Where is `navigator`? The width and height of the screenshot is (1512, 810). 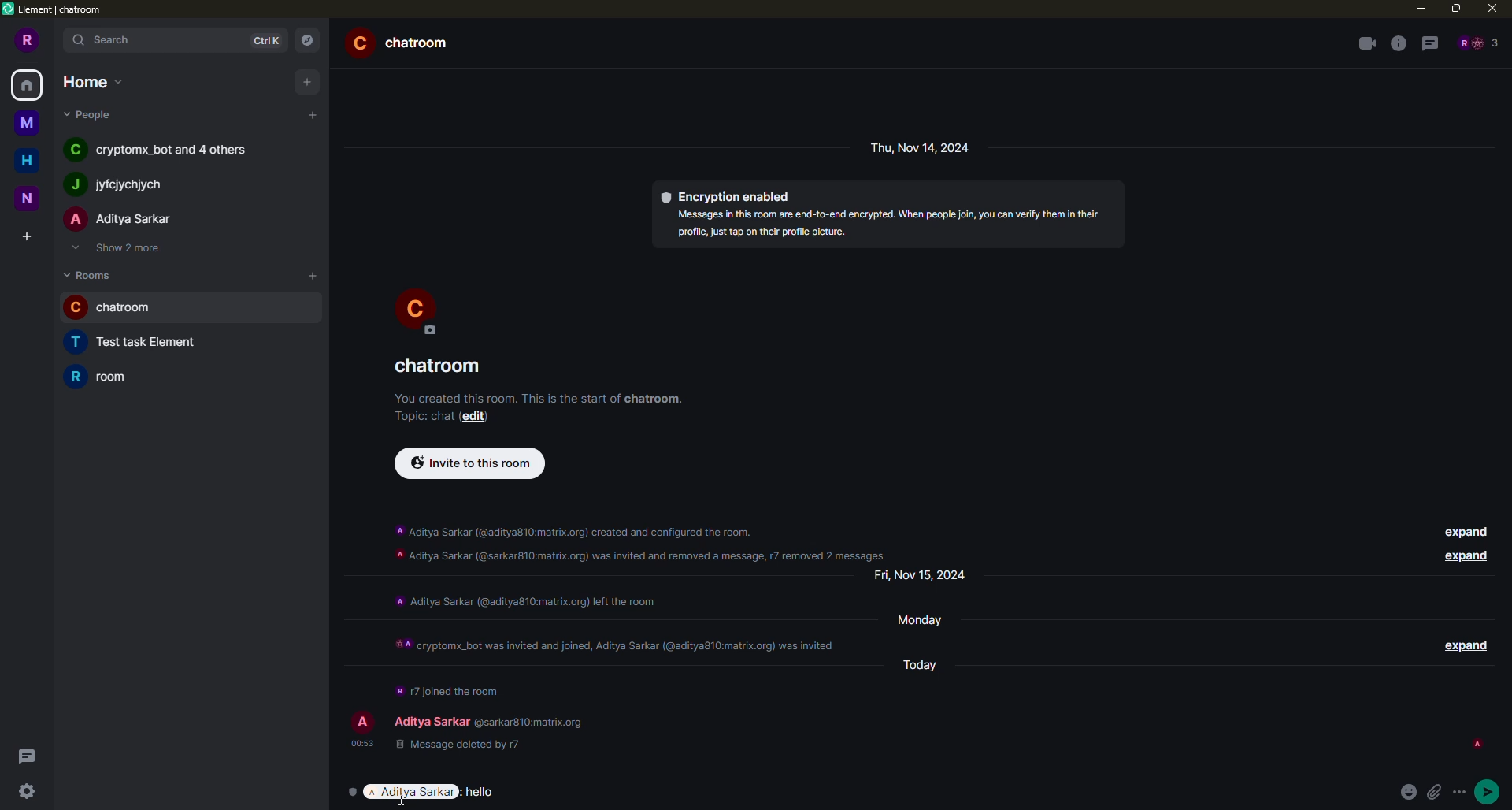
navigator is located at coordinates (307, 39).